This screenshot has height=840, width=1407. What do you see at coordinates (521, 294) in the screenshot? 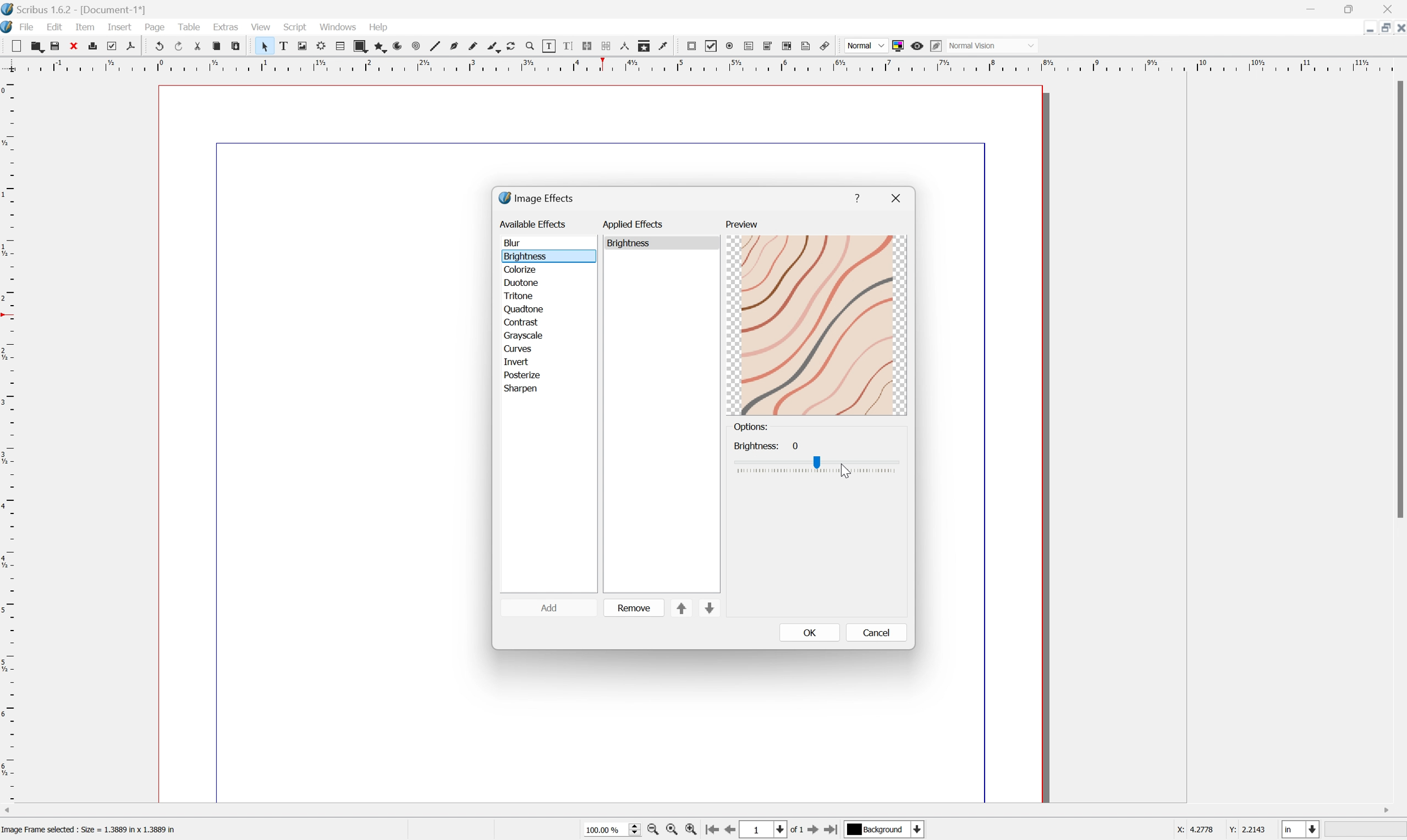
I see `tritone` at bounding box center [521, 294].